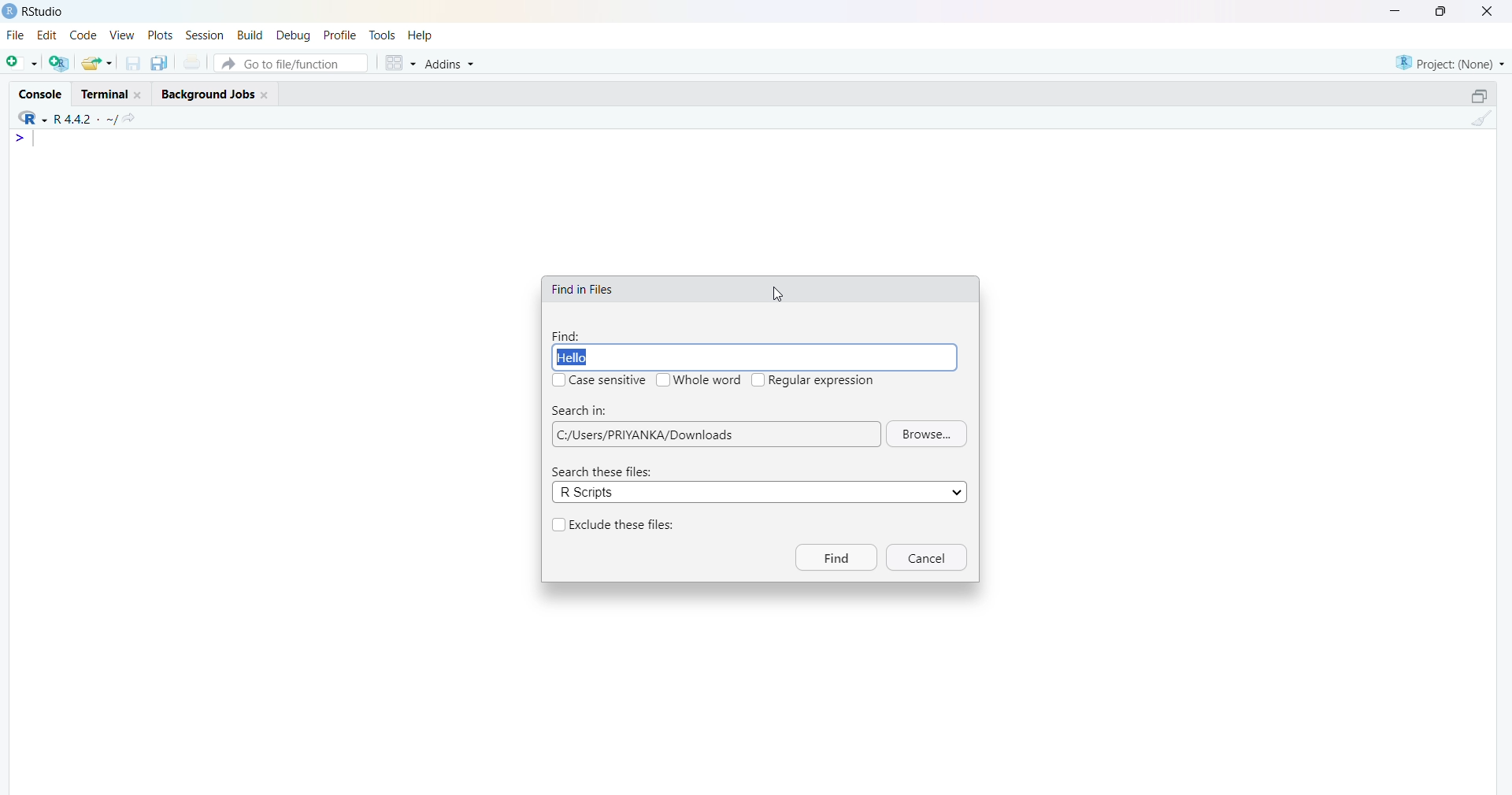  What do you see at coordinates (1480, 95) in the screenshot?
I see `open in separate window` at bounding box center [1480, 95].